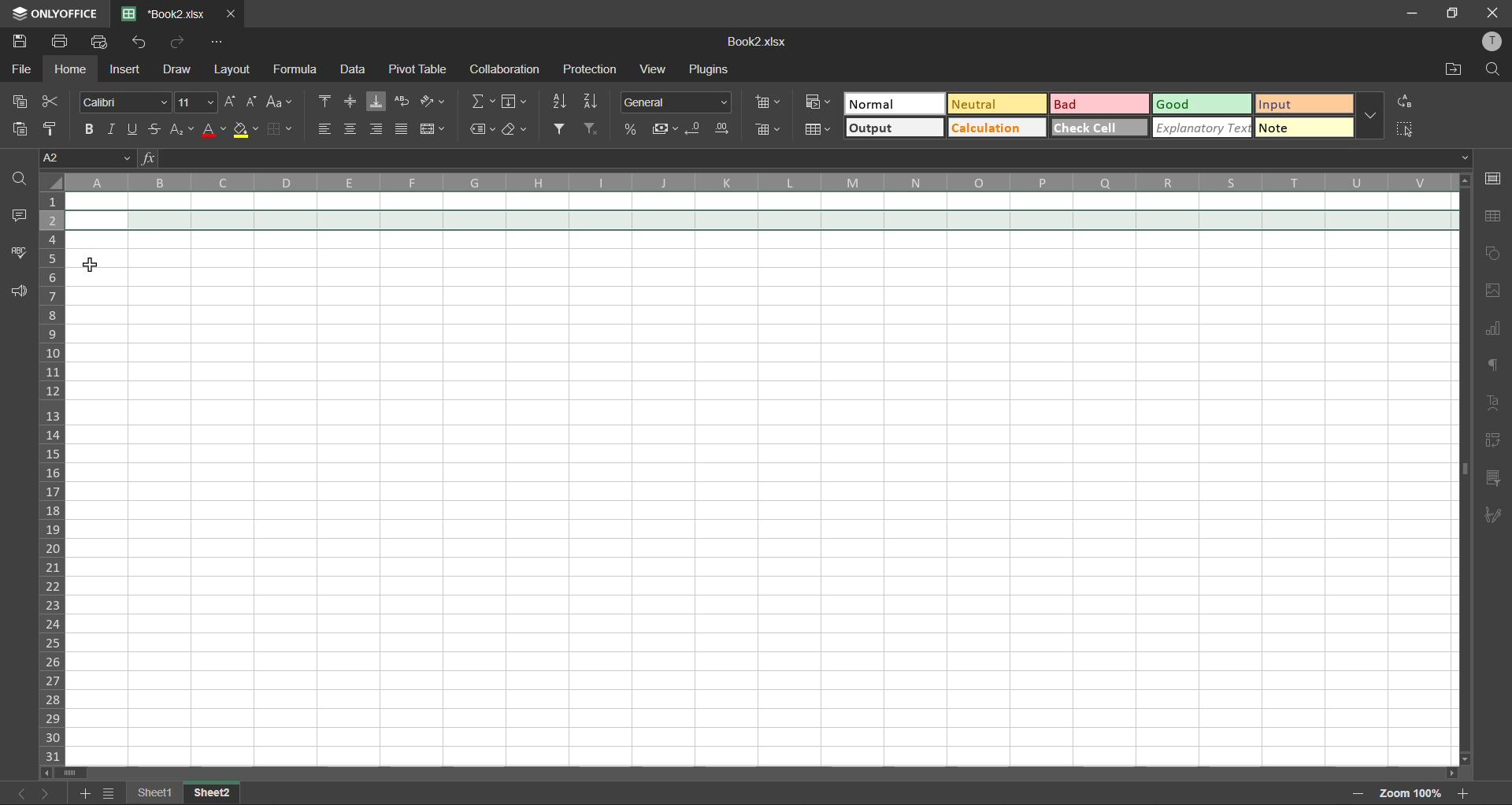  I want to click on copy style, so click(56, 129).